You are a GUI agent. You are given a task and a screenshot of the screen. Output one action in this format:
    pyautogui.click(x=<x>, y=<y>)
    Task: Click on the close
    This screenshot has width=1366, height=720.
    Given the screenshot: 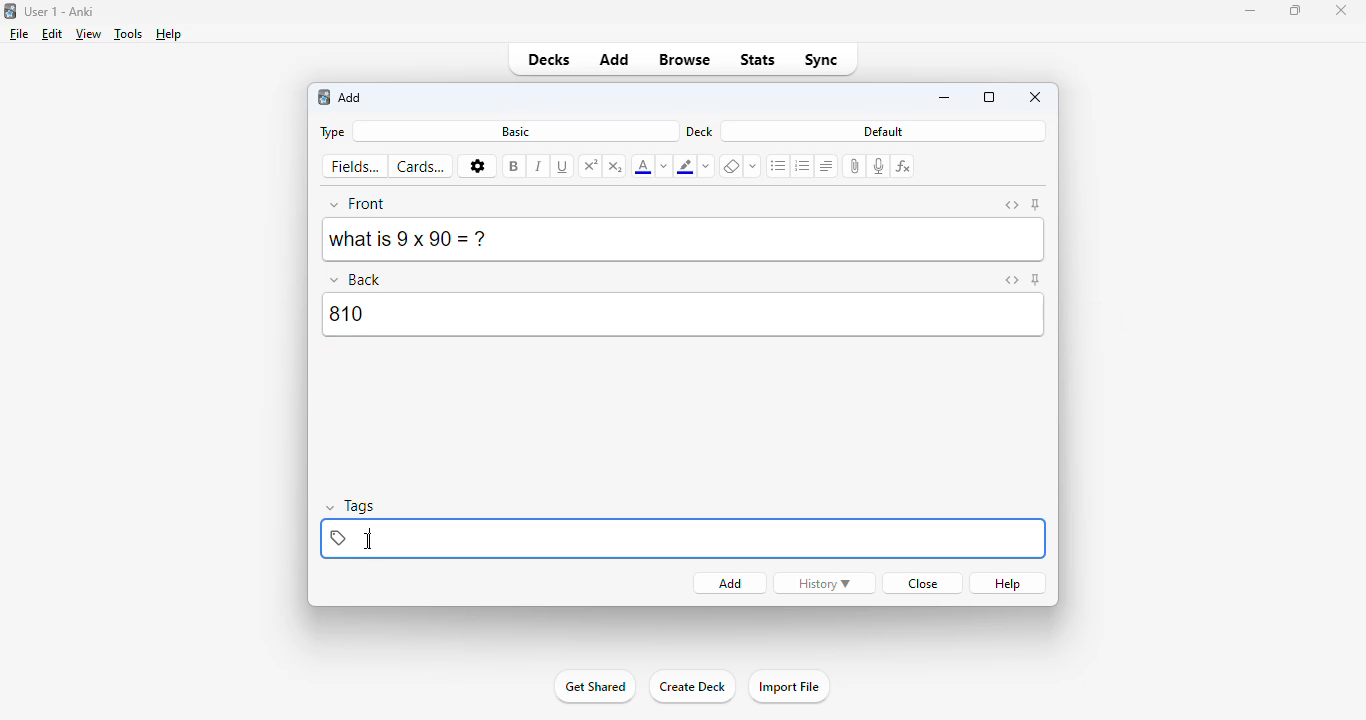 What is the action you would take?
    pyautogui.click(x=1341, y=10)
    